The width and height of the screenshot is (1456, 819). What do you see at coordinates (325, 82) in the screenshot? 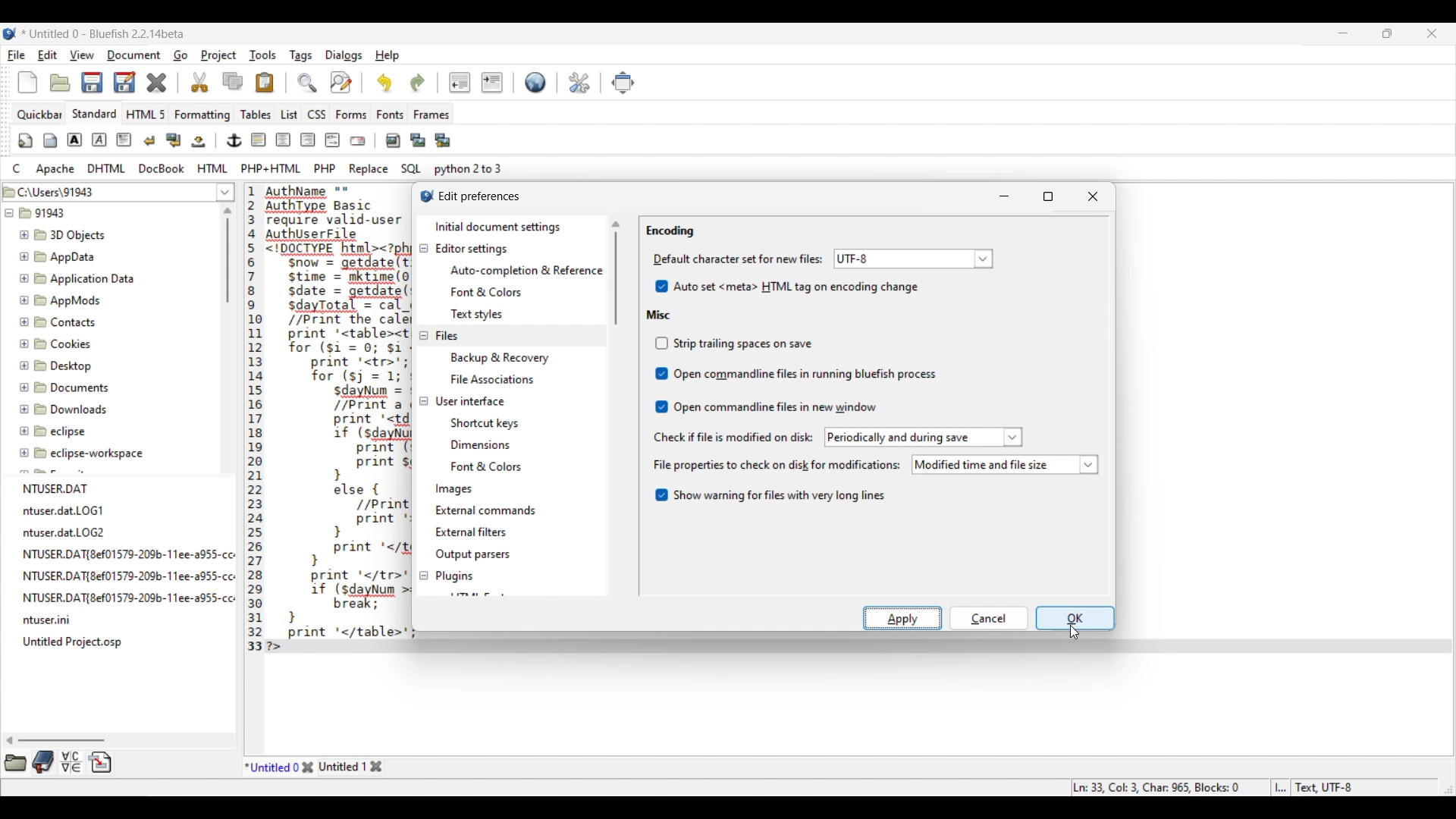
I see `Search and replace` at bounding box center [325, 82].